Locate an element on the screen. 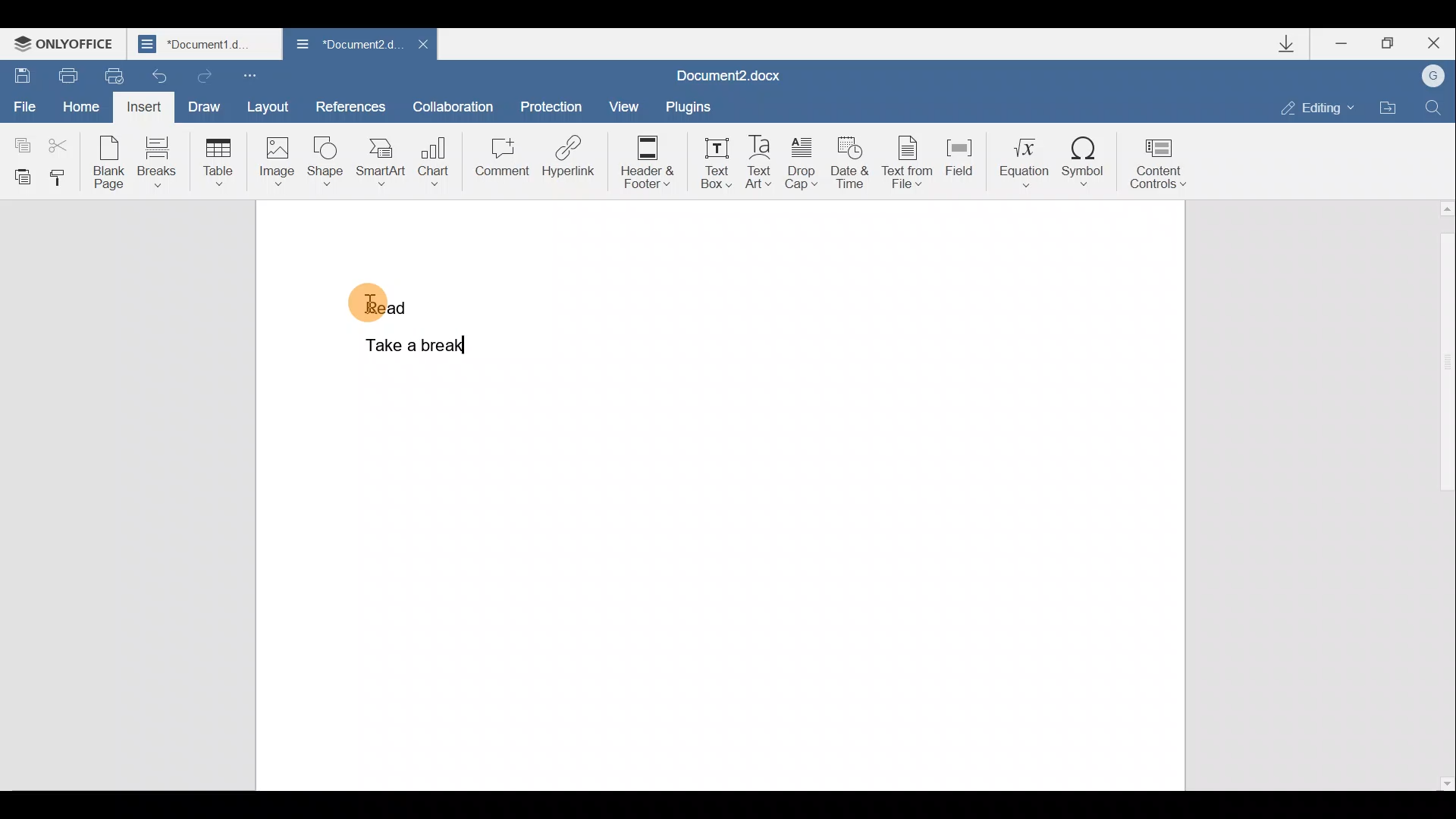 The width and height of the screenshot is (1456, 819). G is located at coordinates (1435, 75).